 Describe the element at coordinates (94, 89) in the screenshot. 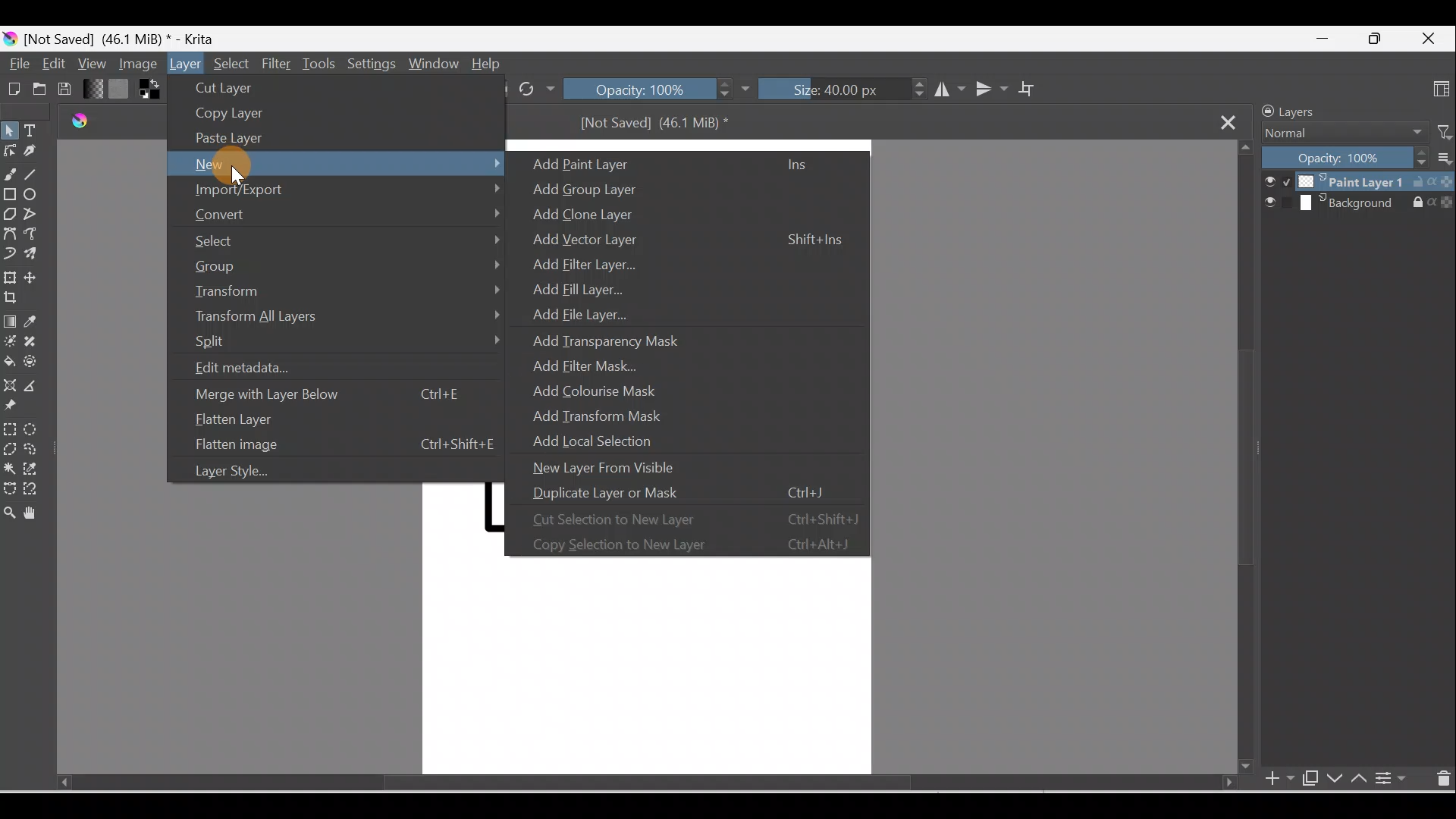

I see `Fill gradients` at that location.